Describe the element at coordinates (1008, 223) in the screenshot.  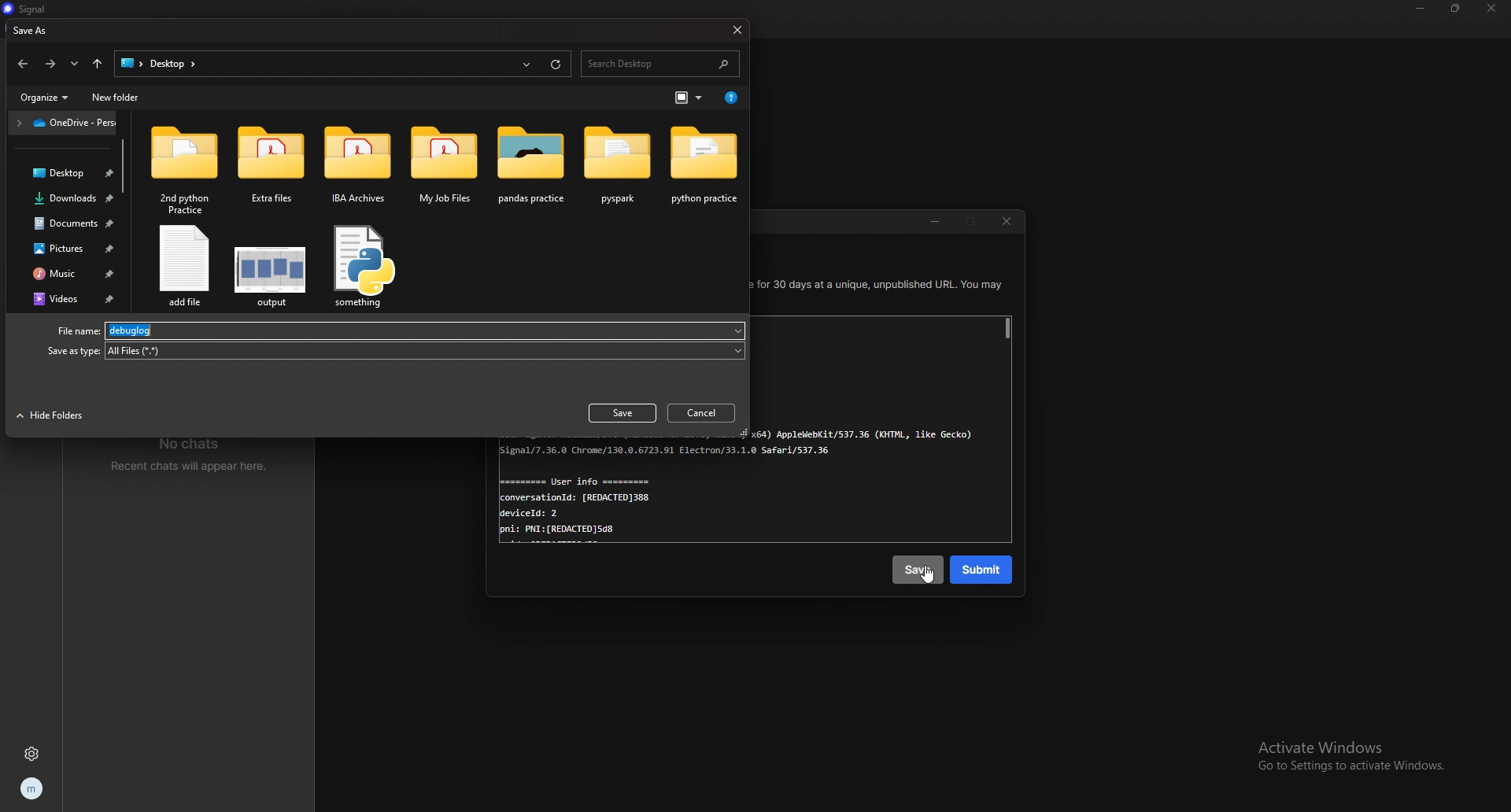
I see `close` at that location.